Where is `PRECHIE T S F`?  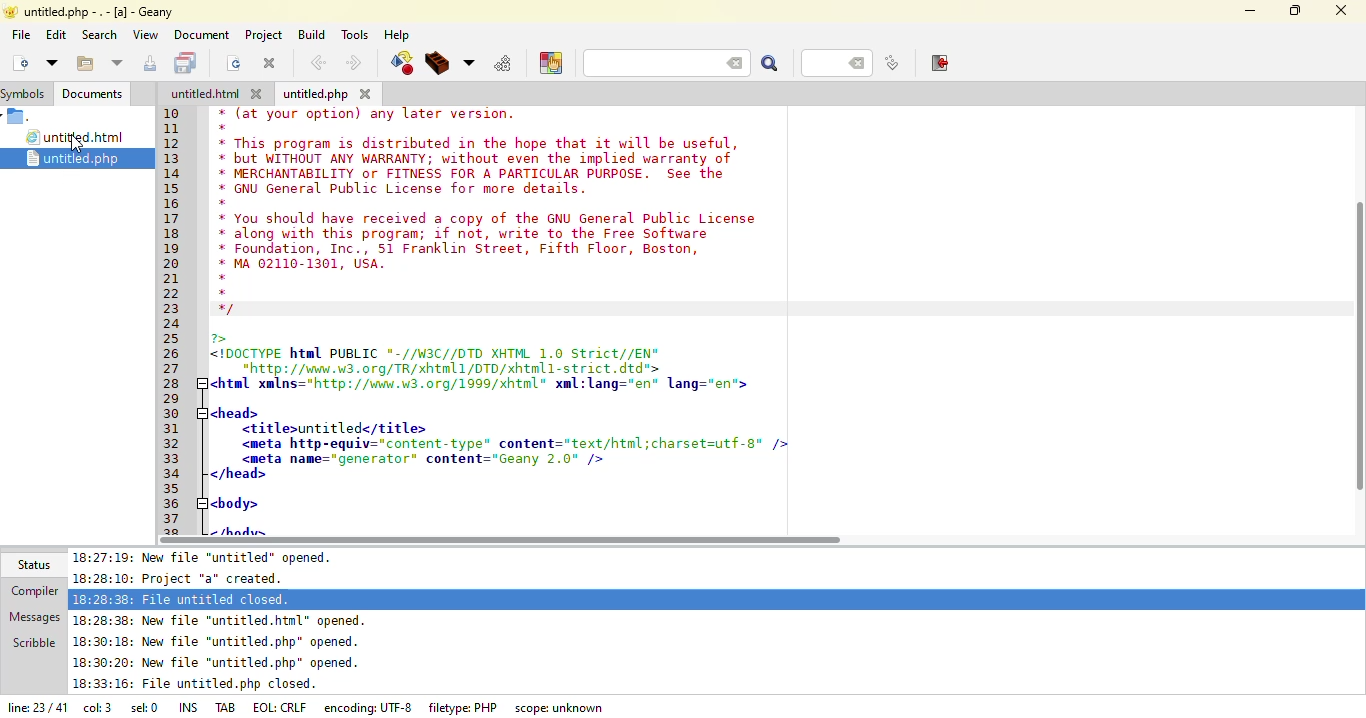
PRECHIE T S F is located at coordinates (100, 10).